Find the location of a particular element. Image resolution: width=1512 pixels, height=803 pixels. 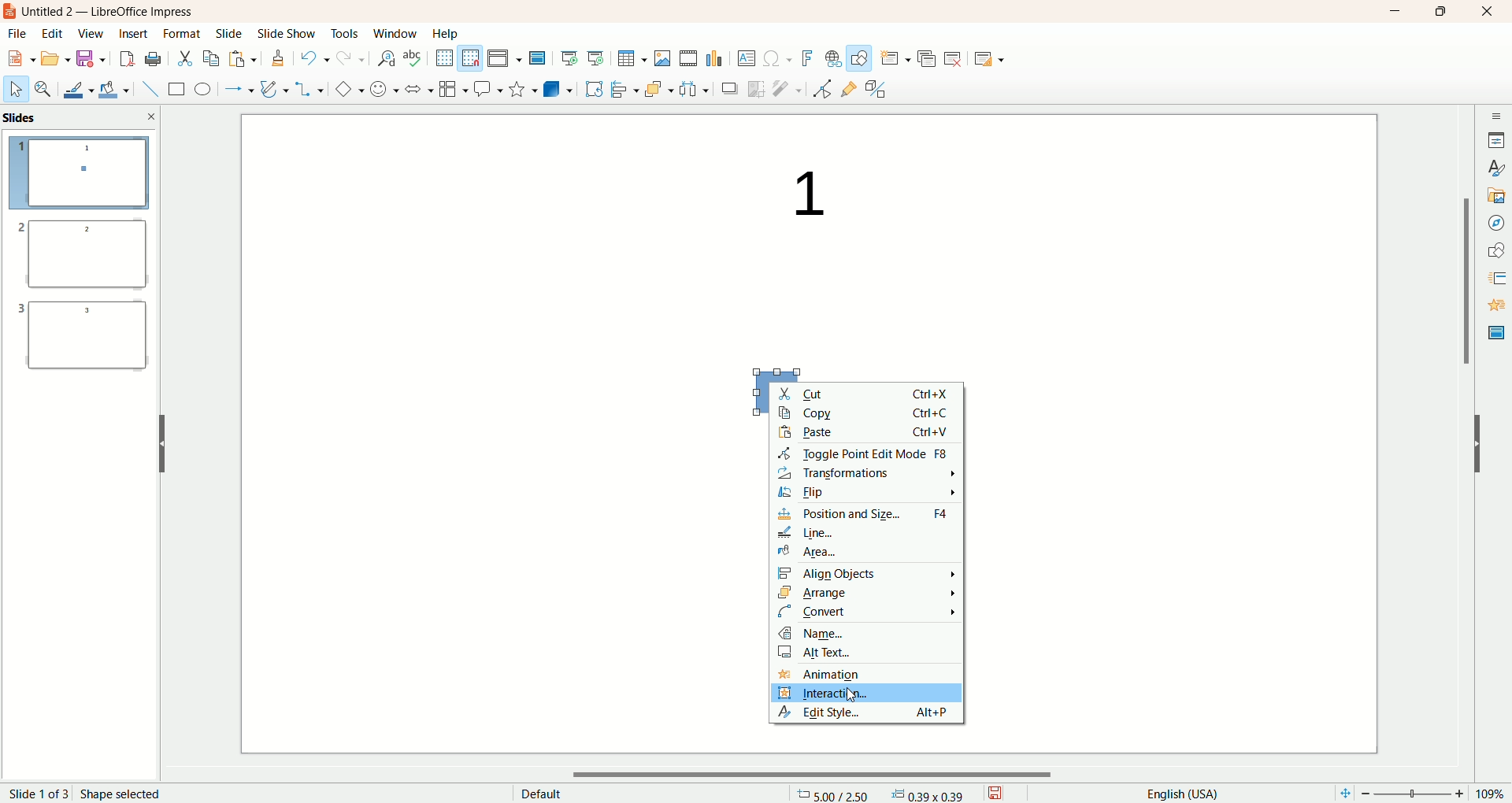

edit is located at coordinates (54, 34).